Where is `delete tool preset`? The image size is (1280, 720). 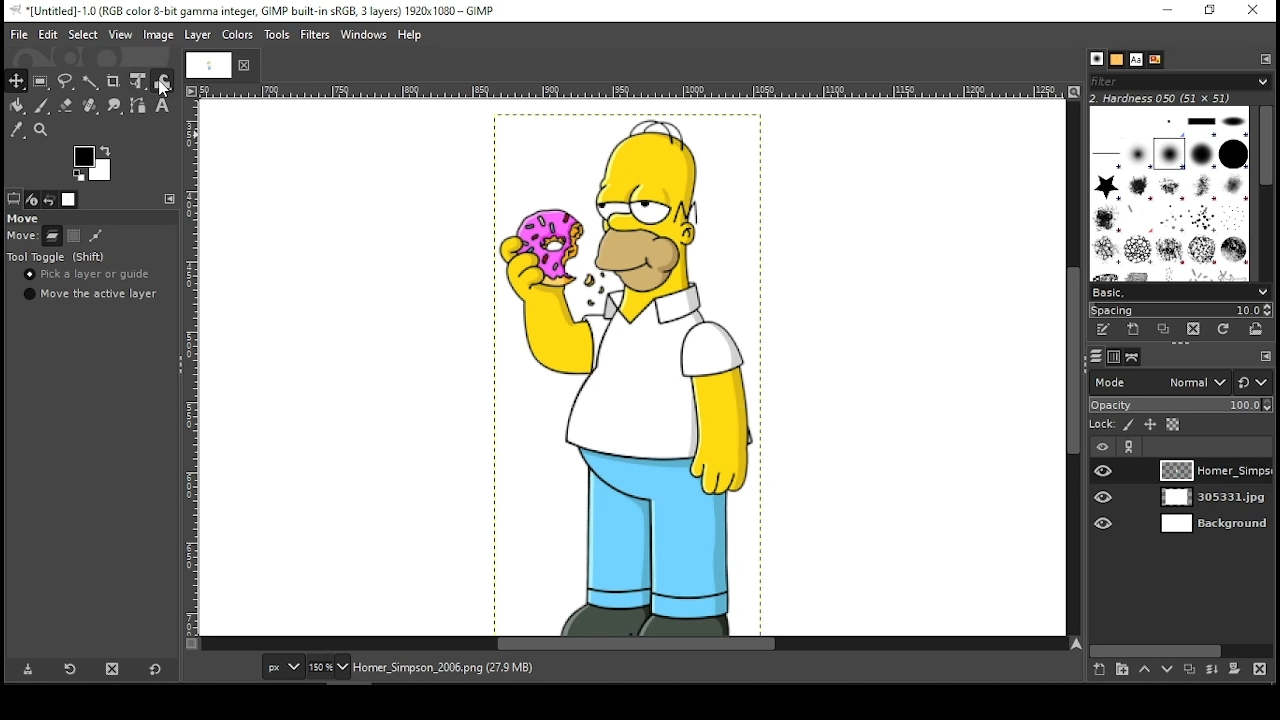 delete tool preset is located at coordinates (111, 670).